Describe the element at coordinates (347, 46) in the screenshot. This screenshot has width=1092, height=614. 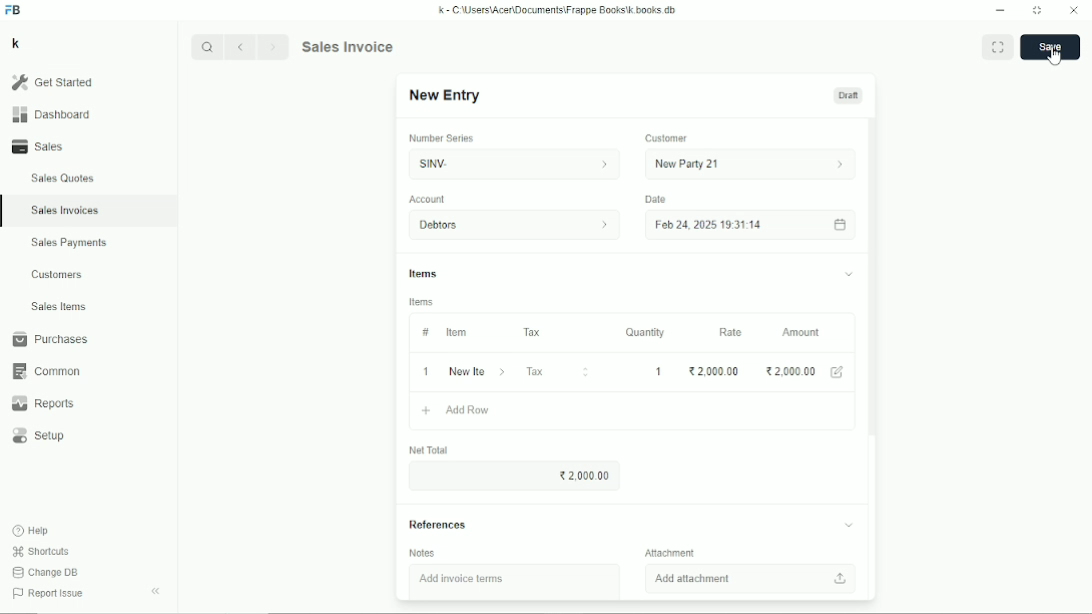
I see `Sales invoice` at that location.